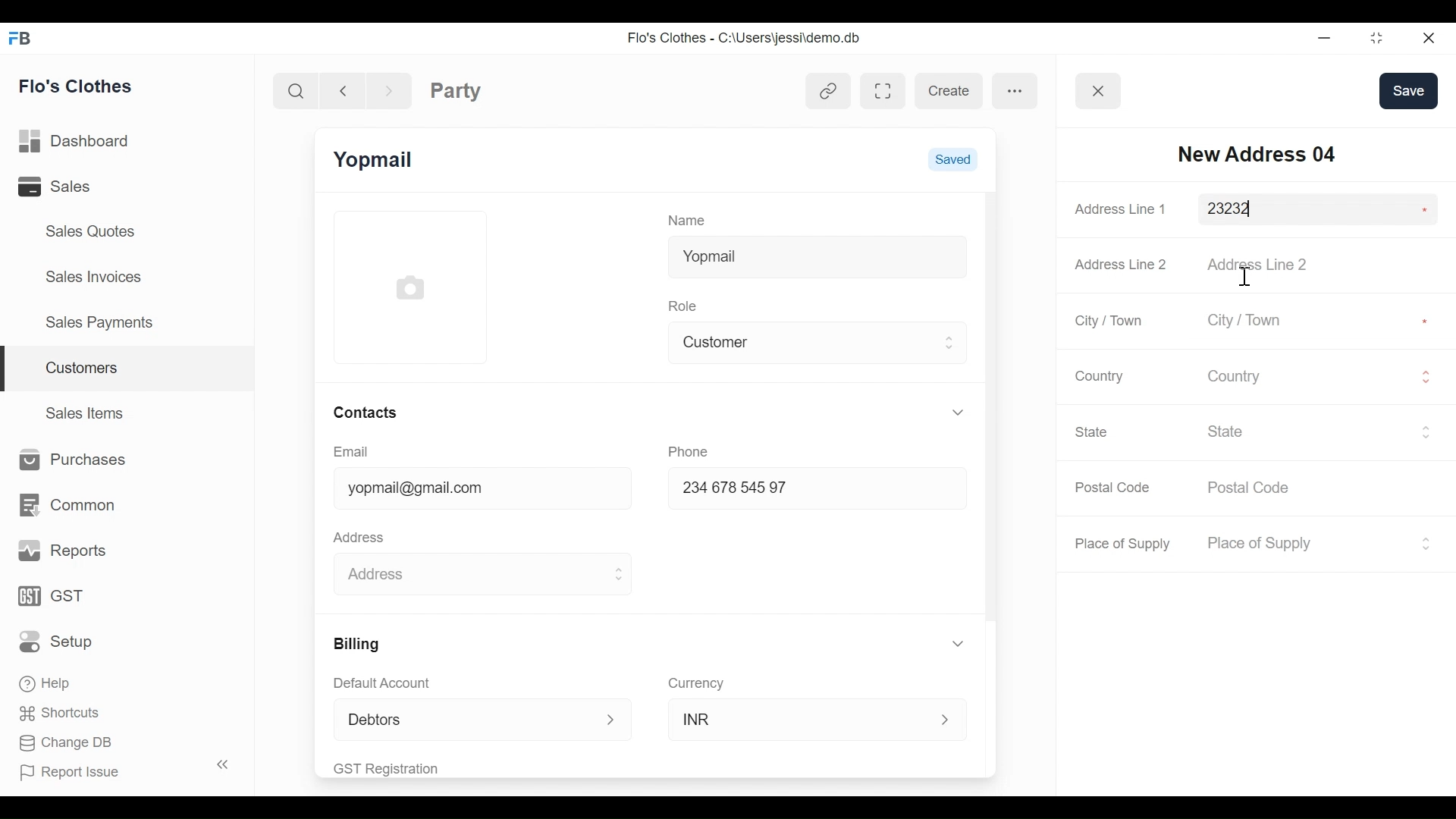  Describe the element at coordinates (1257, 153) in the screenshot. I see `New Address 04` at that location.